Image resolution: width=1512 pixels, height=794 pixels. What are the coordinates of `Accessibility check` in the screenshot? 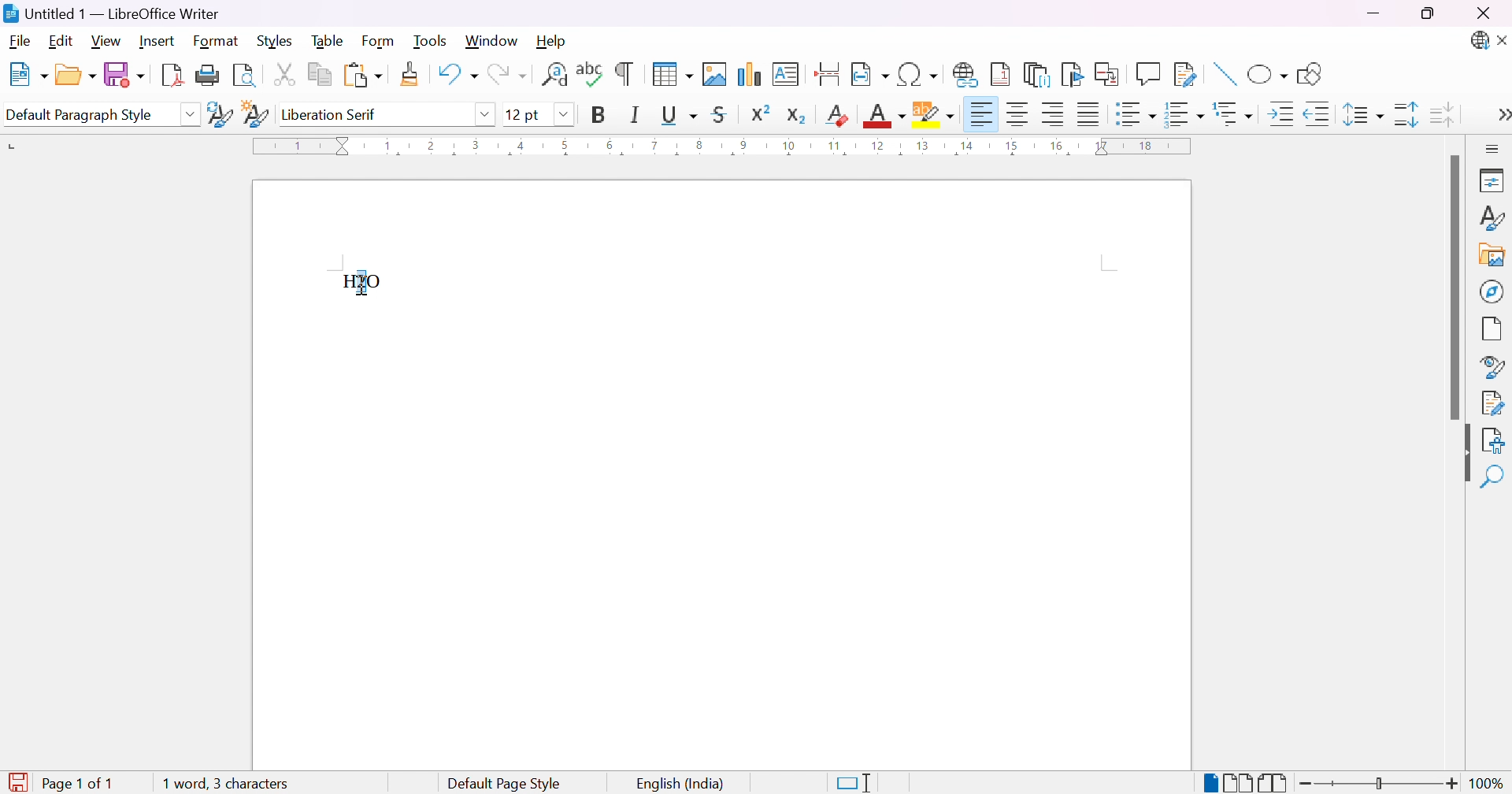 It's located at (1492, 440).